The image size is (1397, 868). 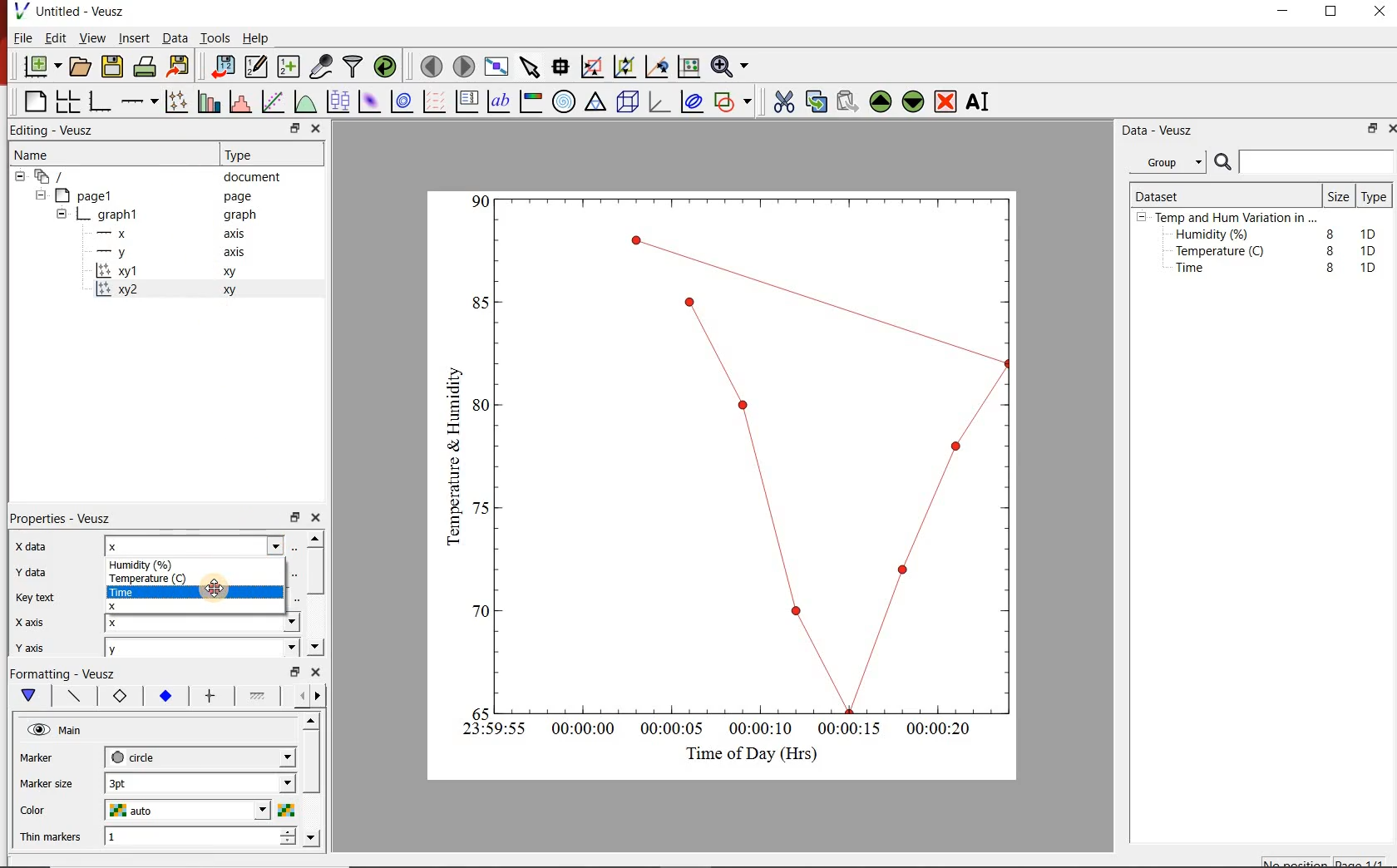 What do you see at coordinates (70, 99) in the screenshot?
I see `arrange graphs in a grid` at bounding box center [70, 99].